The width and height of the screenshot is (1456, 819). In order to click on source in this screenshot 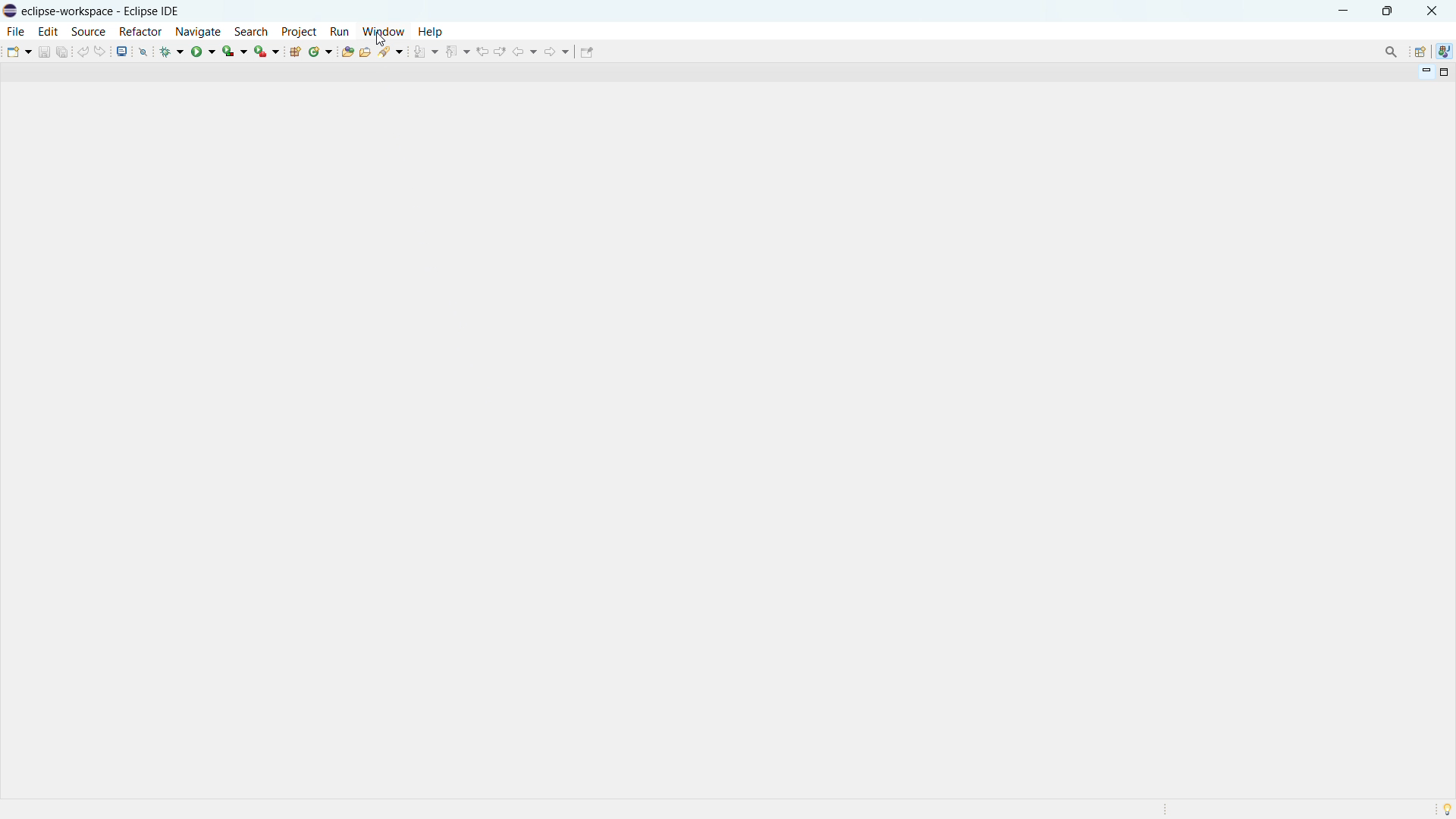, I will do `click(88, 32)`.